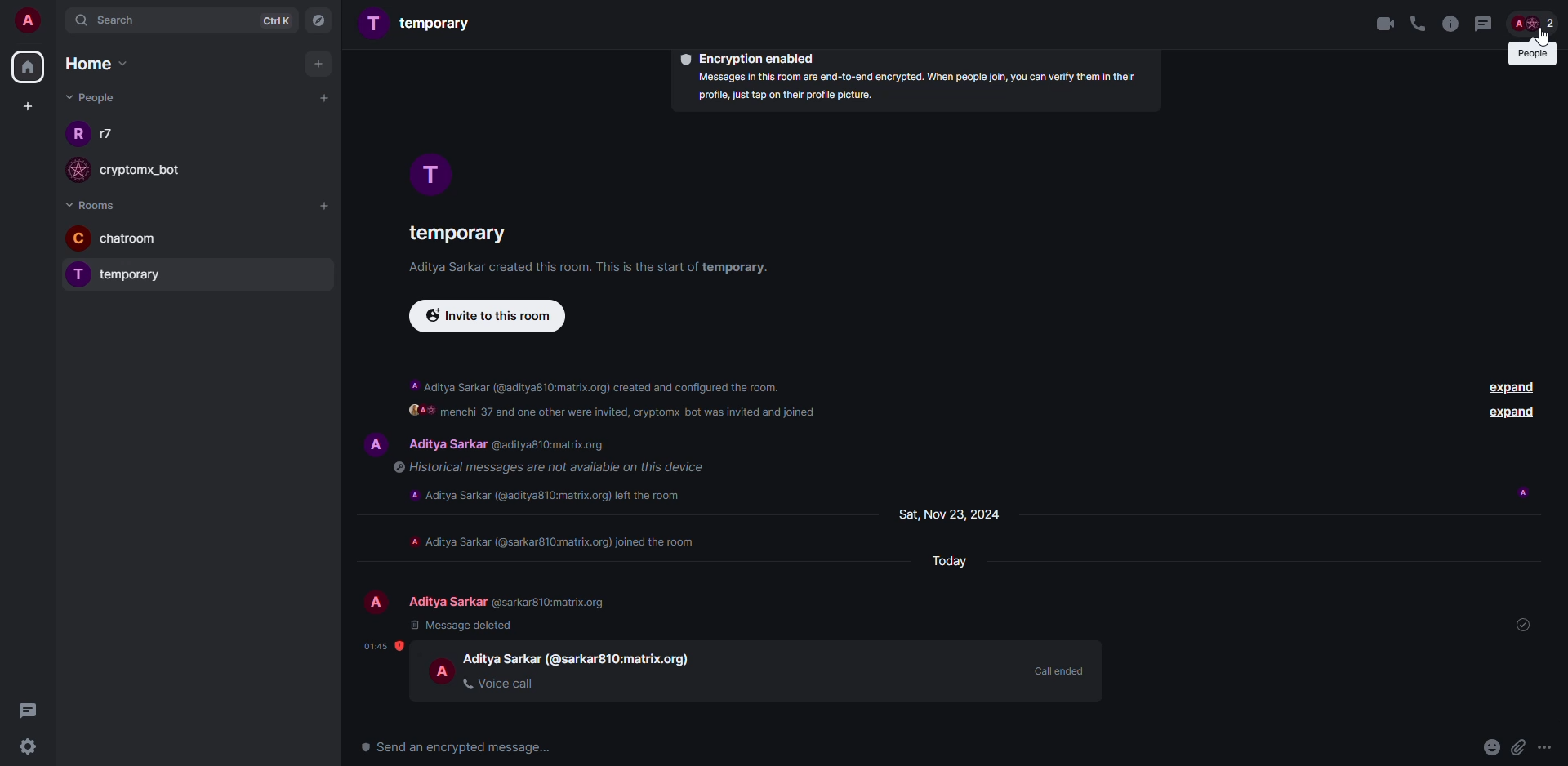 The width and height of the screenshot is (1568, 766). Describe the element at coordinates (747, 57) in the screenshot. I see `encryption enabled` at that location.